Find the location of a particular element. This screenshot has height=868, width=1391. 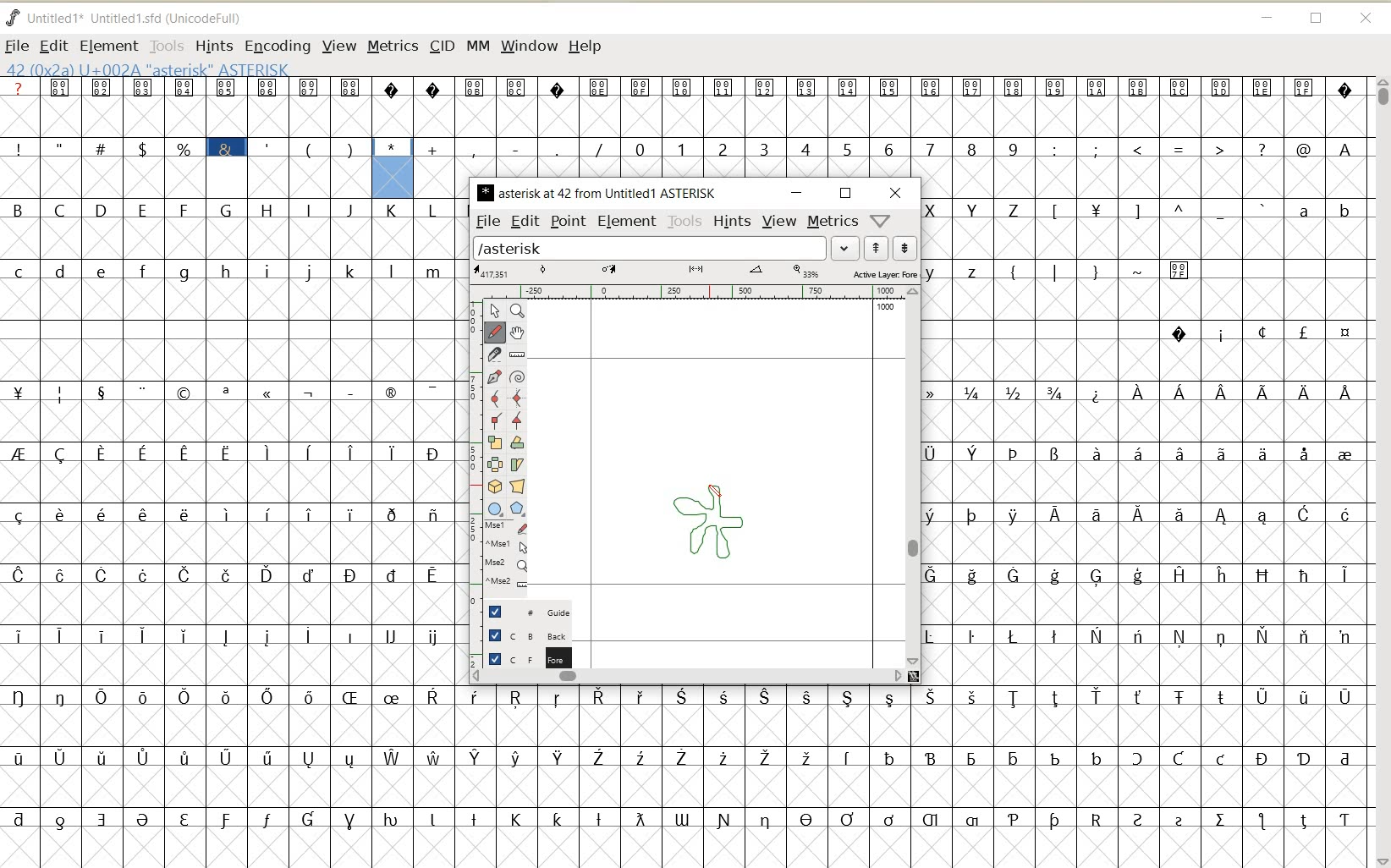

scroll by hand is located at coordinates (518, 334).